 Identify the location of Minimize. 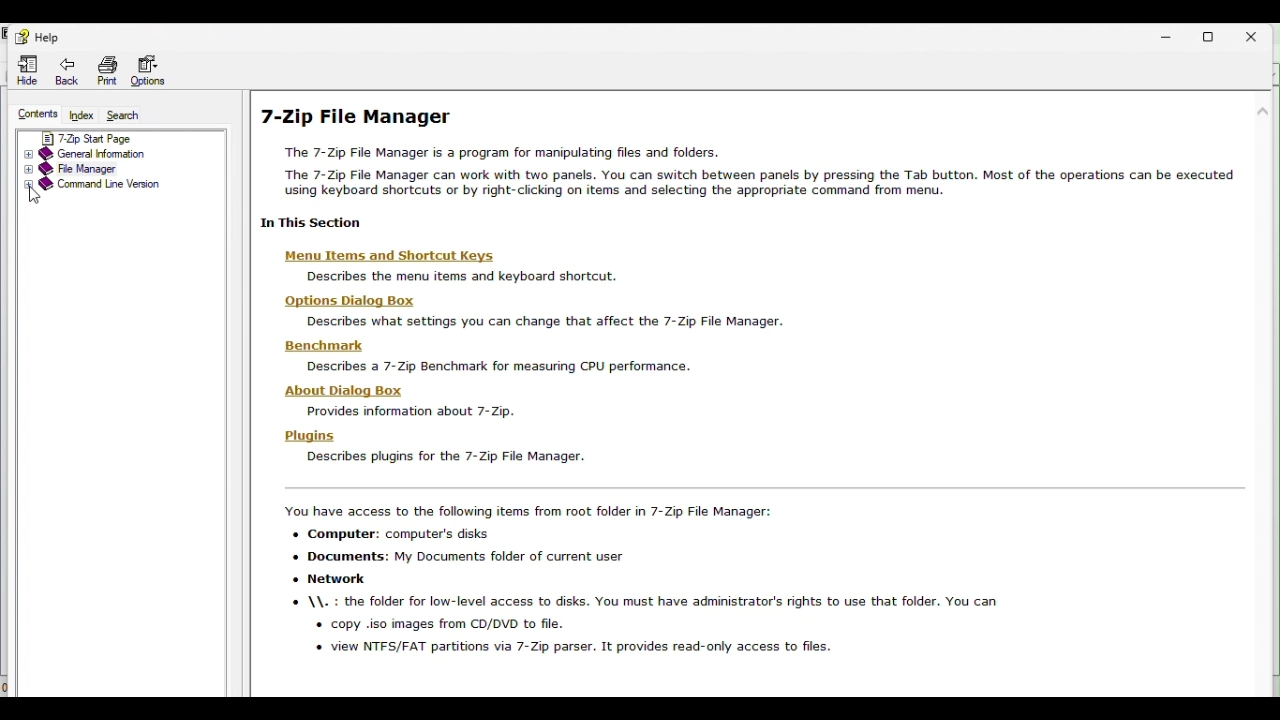
(1171, 32).